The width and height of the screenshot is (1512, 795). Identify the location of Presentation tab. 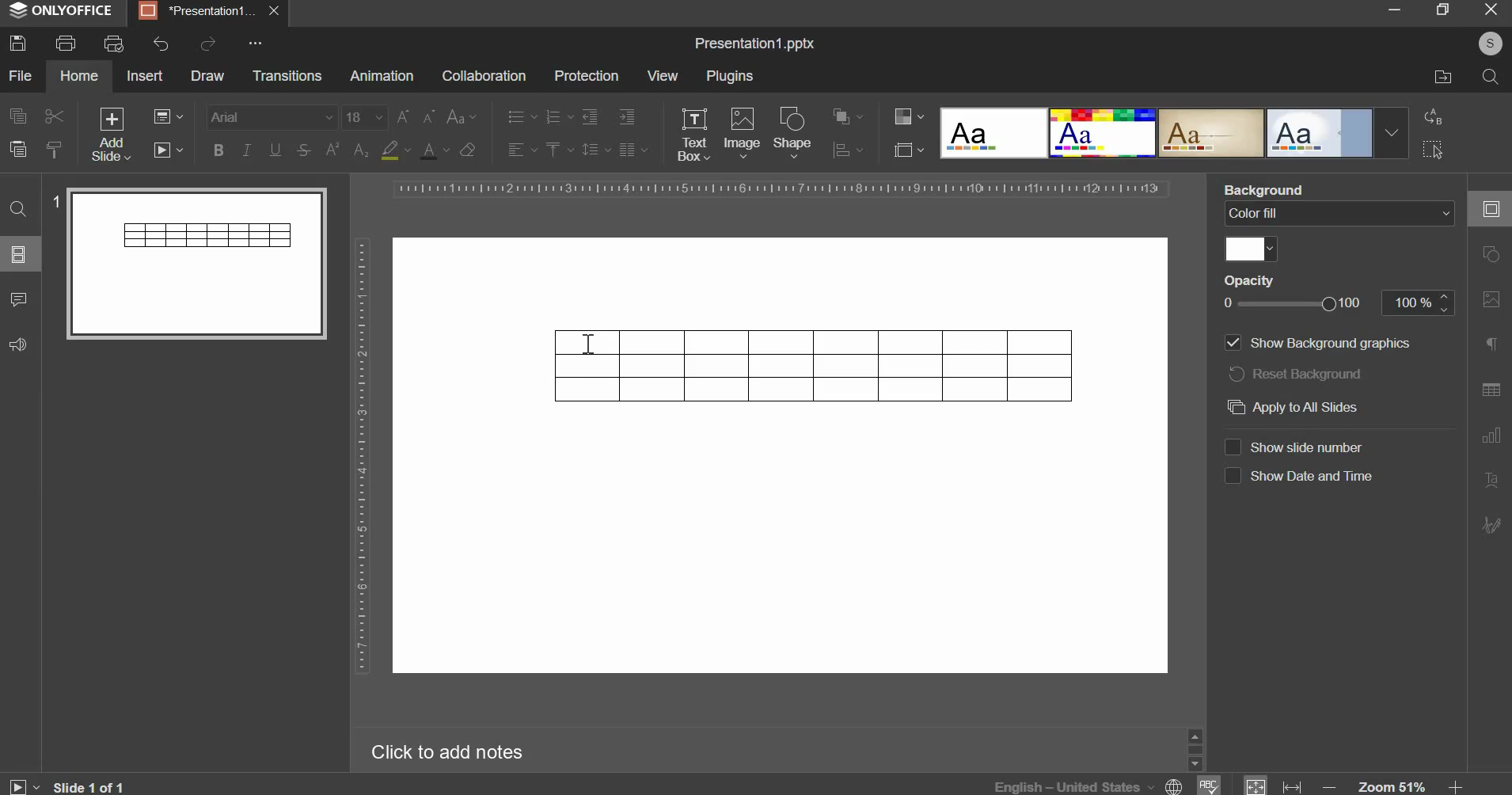
(207, 11).